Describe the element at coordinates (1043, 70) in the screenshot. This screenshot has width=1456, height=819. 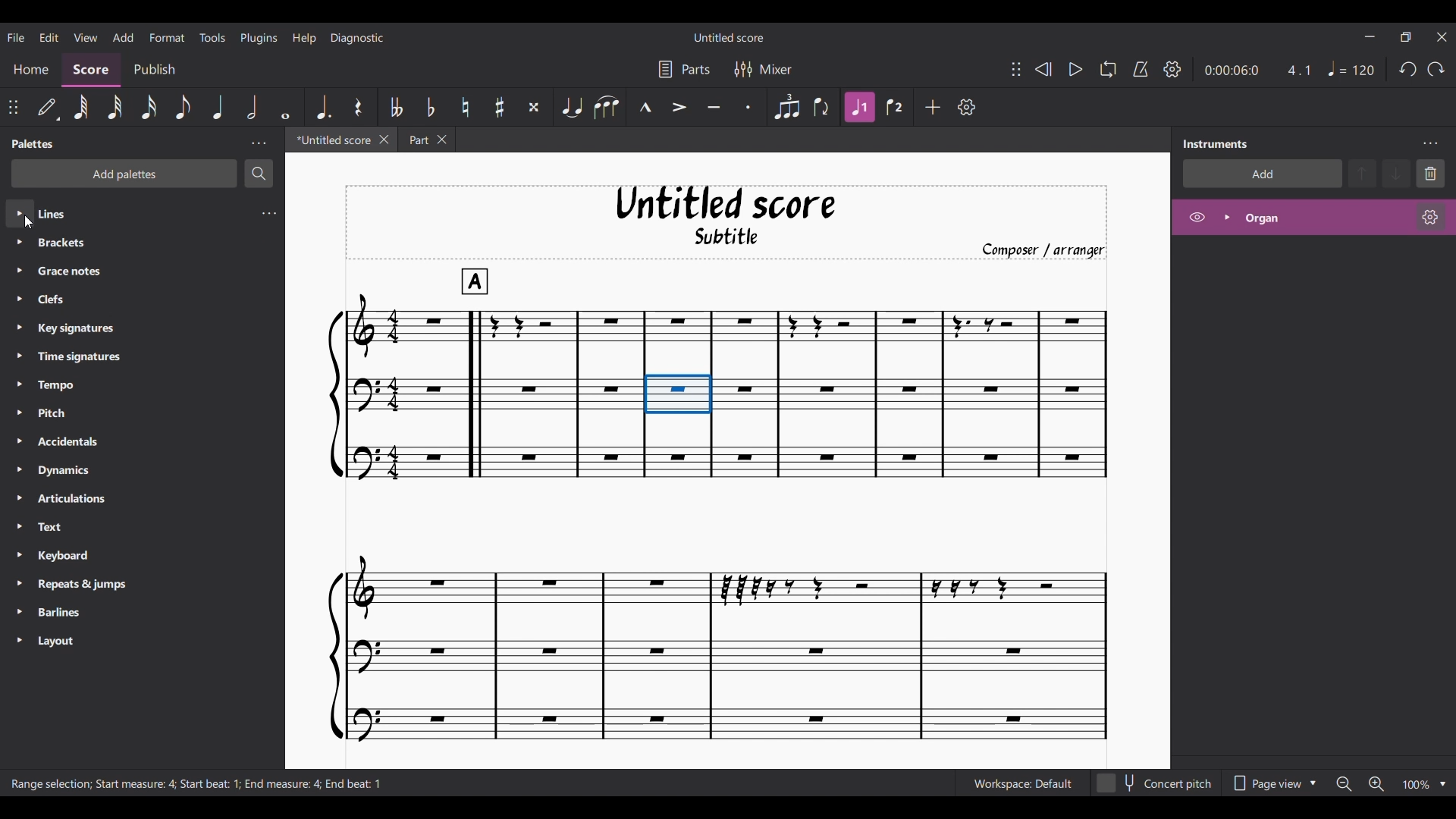
I see `Rewind` at that location.